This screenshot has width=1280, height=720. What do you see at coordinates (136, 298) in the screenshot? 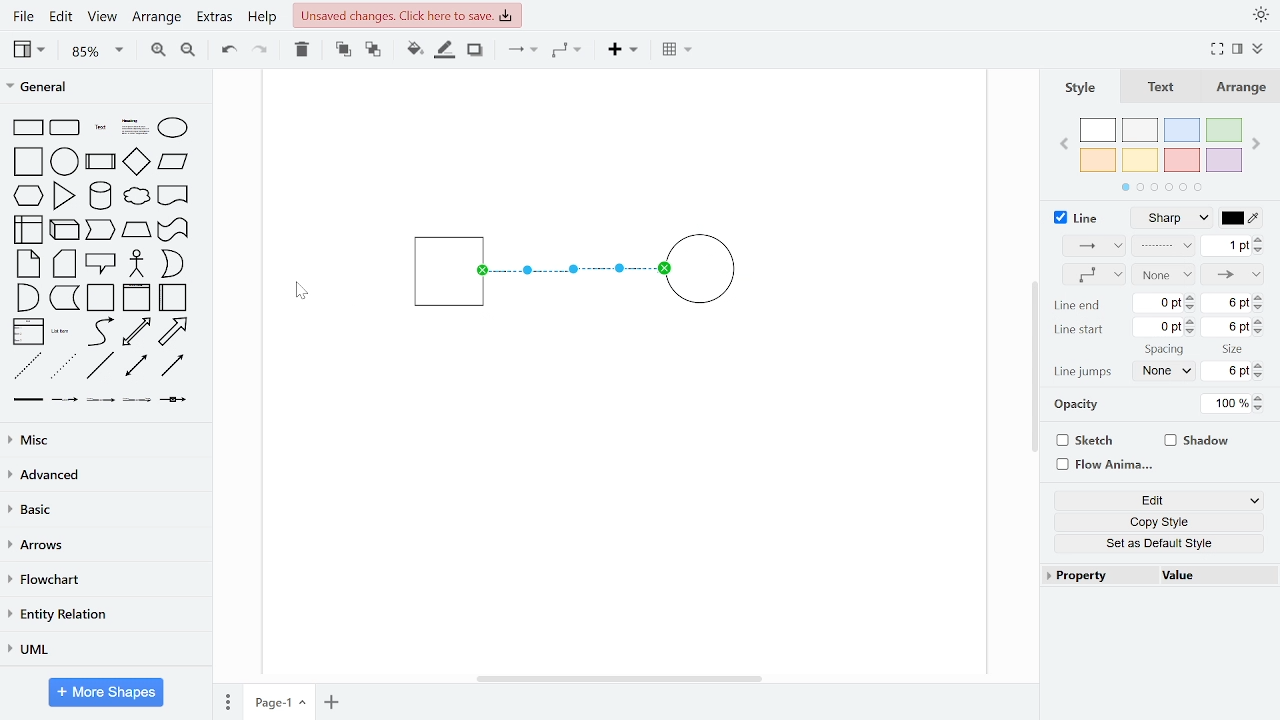
I see `vertical container` at bounding box center [136, 298].